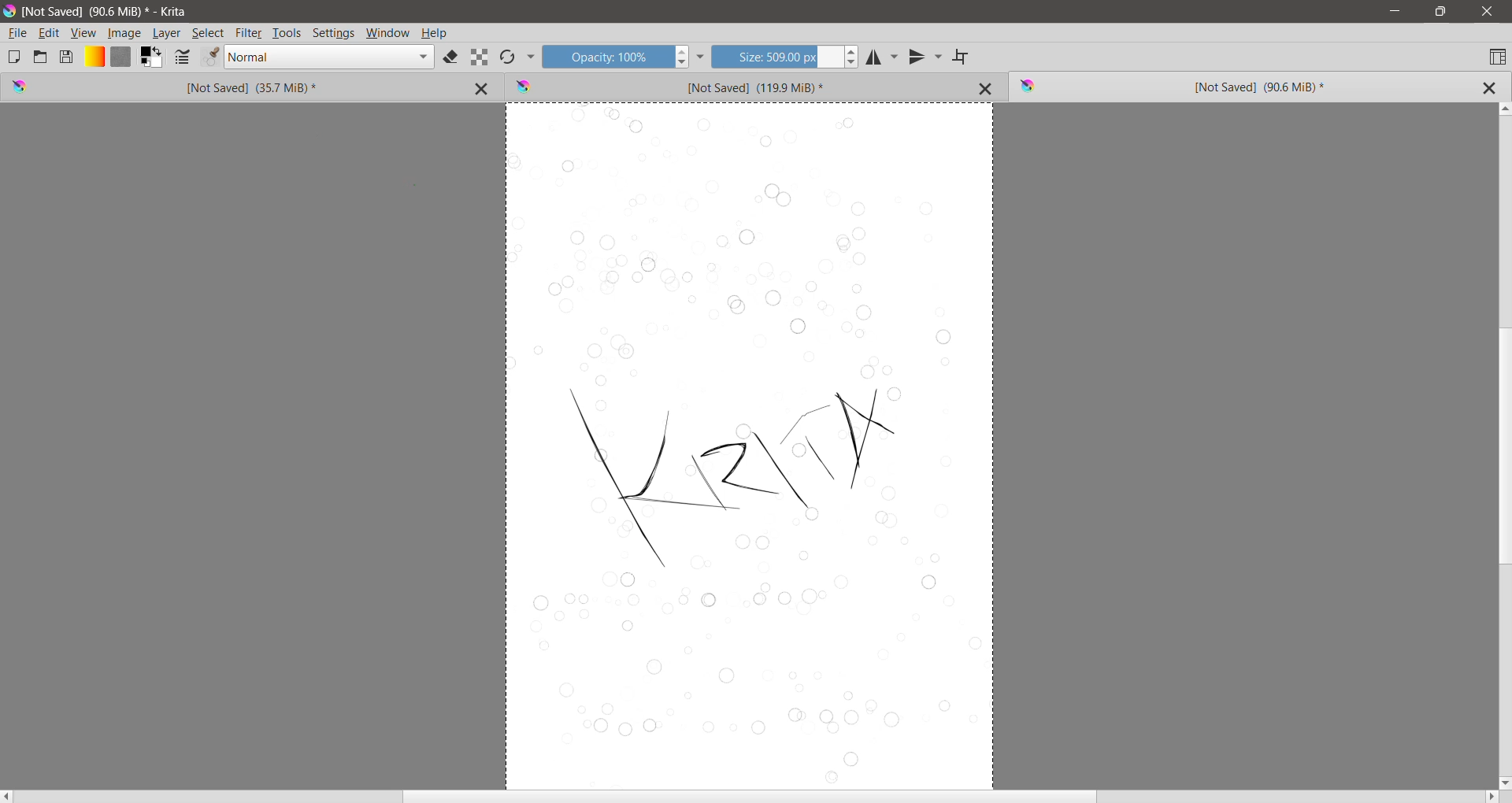 This screenshot has height=803, width=1512. I want to click on Fill Gradients, so click(94, 57).